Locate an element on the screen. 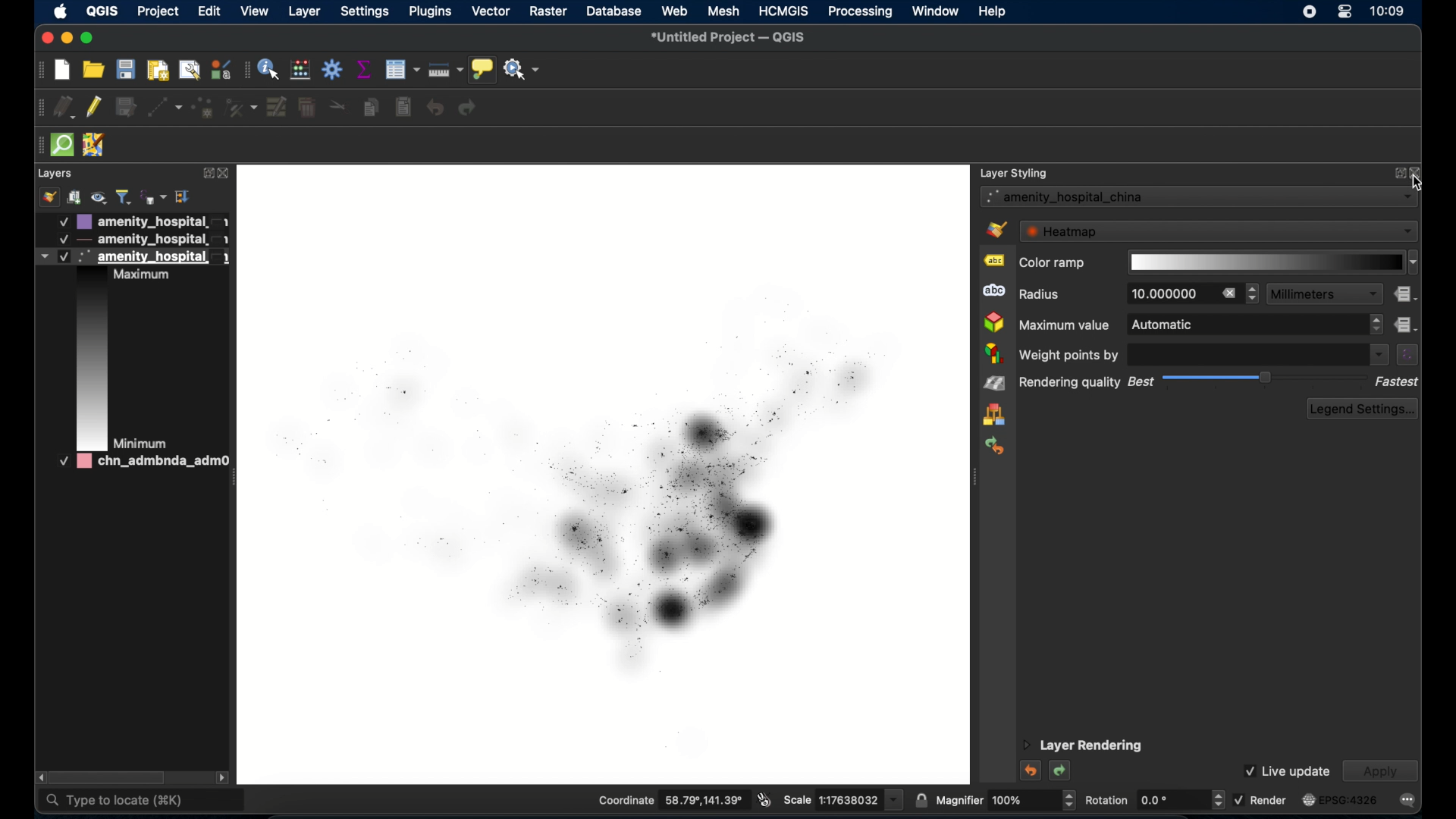 The width and height of the screenshot is (1456, 819). HCMGIS is located at coordinates (784, 11).